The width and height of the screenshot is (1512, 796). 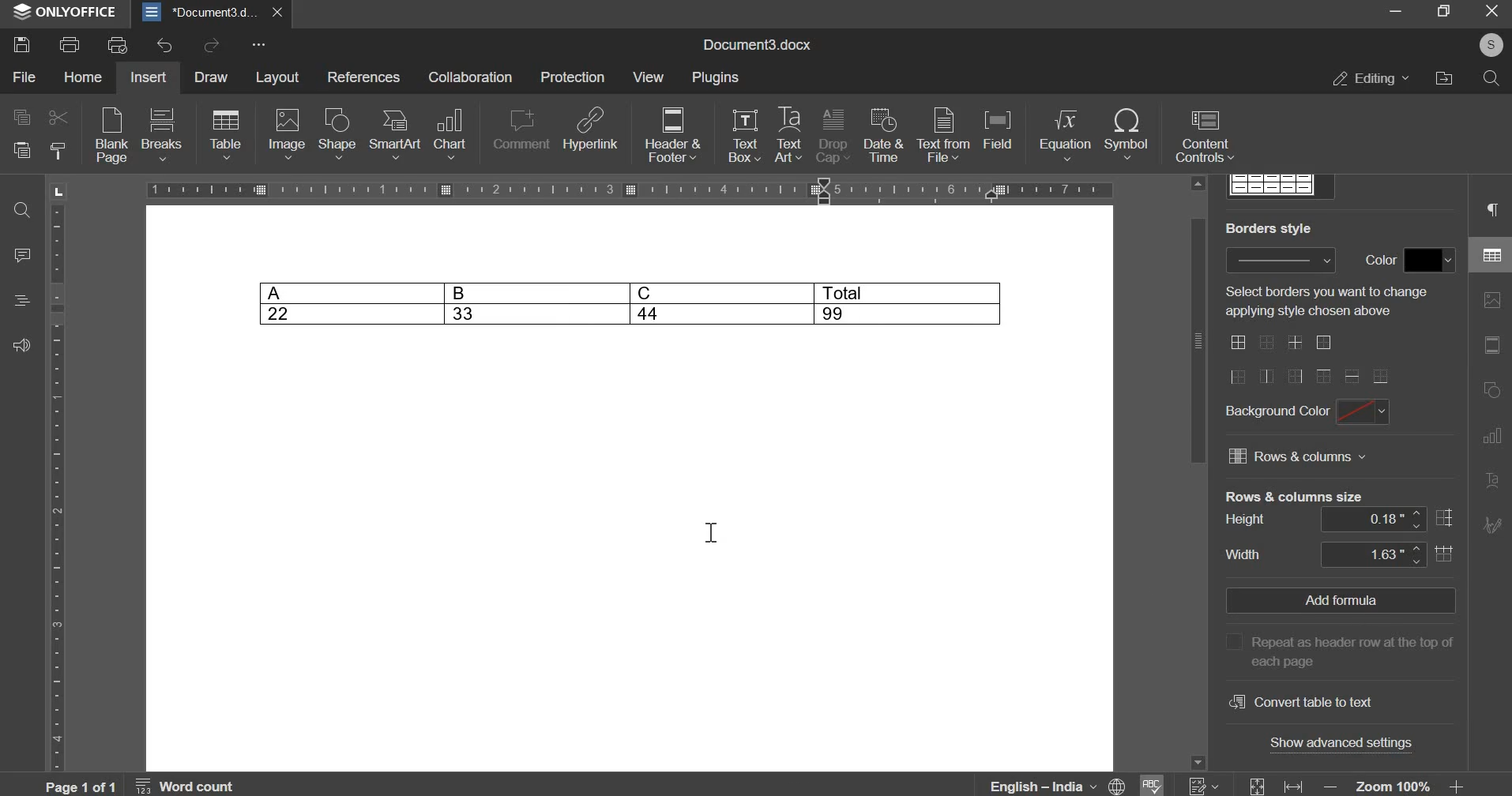 I want to click on print, so click(x=69, y=43).